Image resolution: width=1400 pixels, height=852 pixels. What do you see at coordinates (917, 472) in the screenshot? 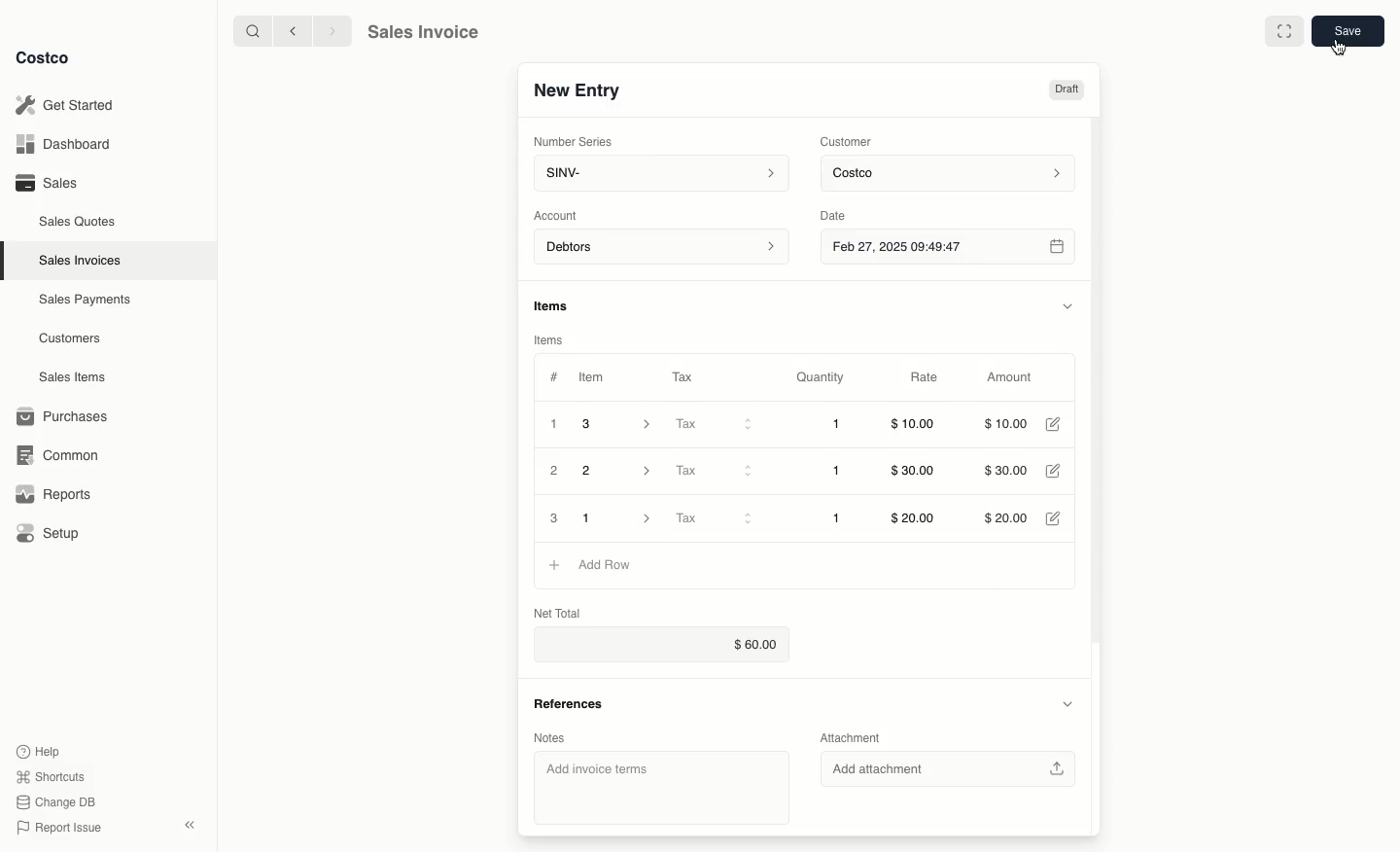
I see `$30.00` at bounding box center [917, 472].